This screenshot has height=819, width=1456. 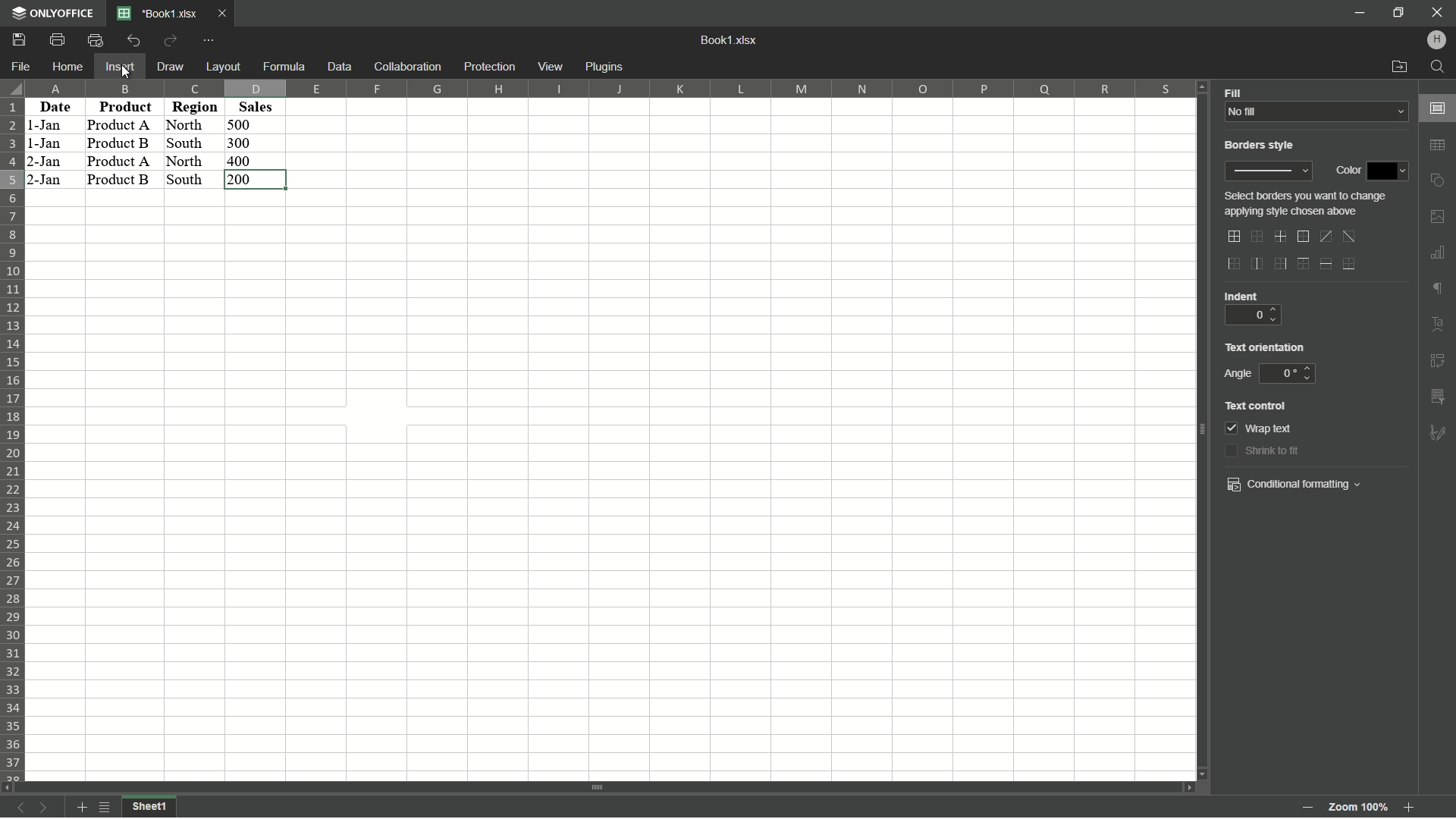 I want to click on list of sheets, so click(x=106, y=806).